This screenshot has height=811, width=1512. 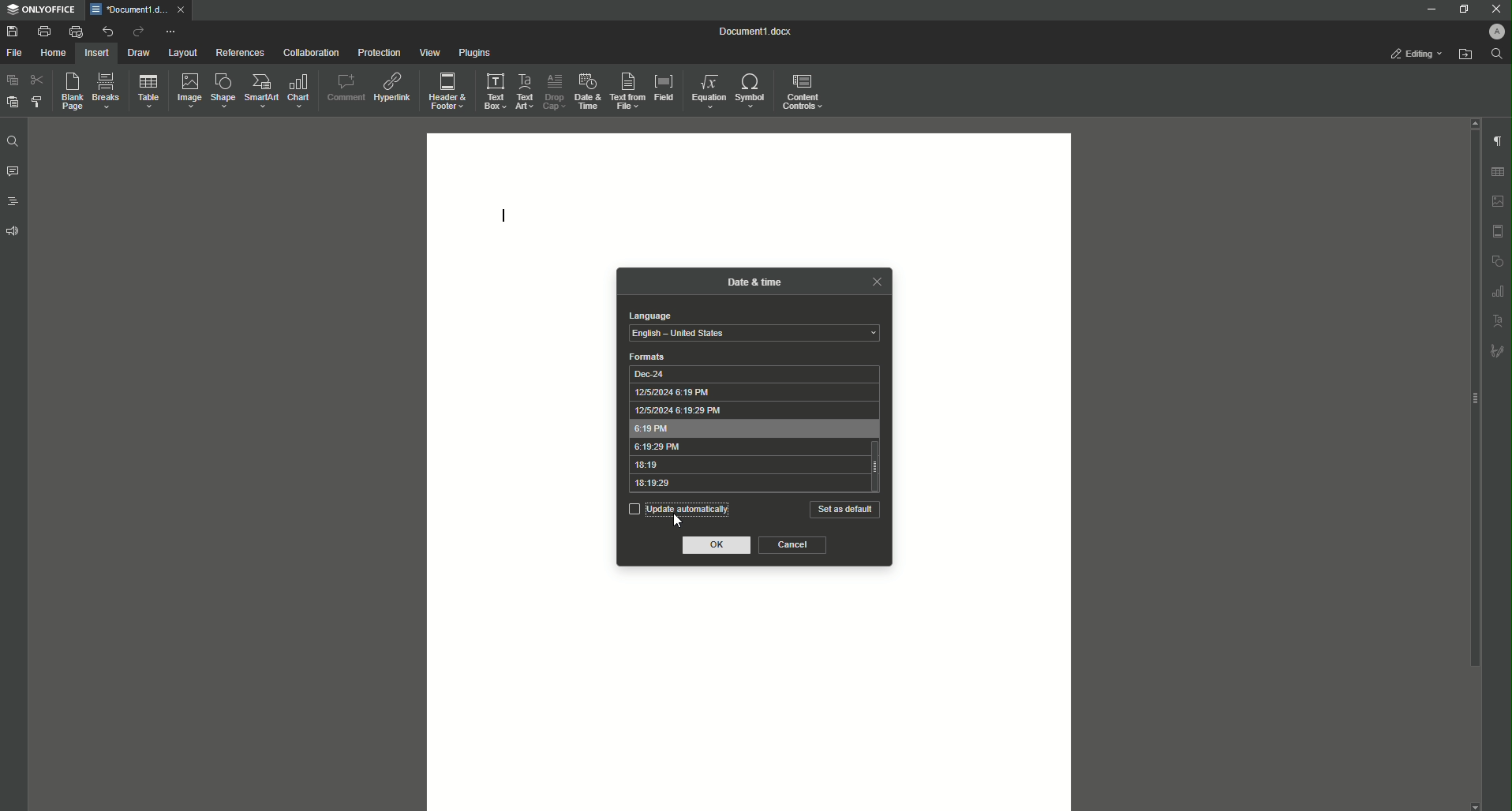 What do you see at coordinates (128, 9) in the screenshot?
I see `*Document1.docx` at bounding box center [128, 9].